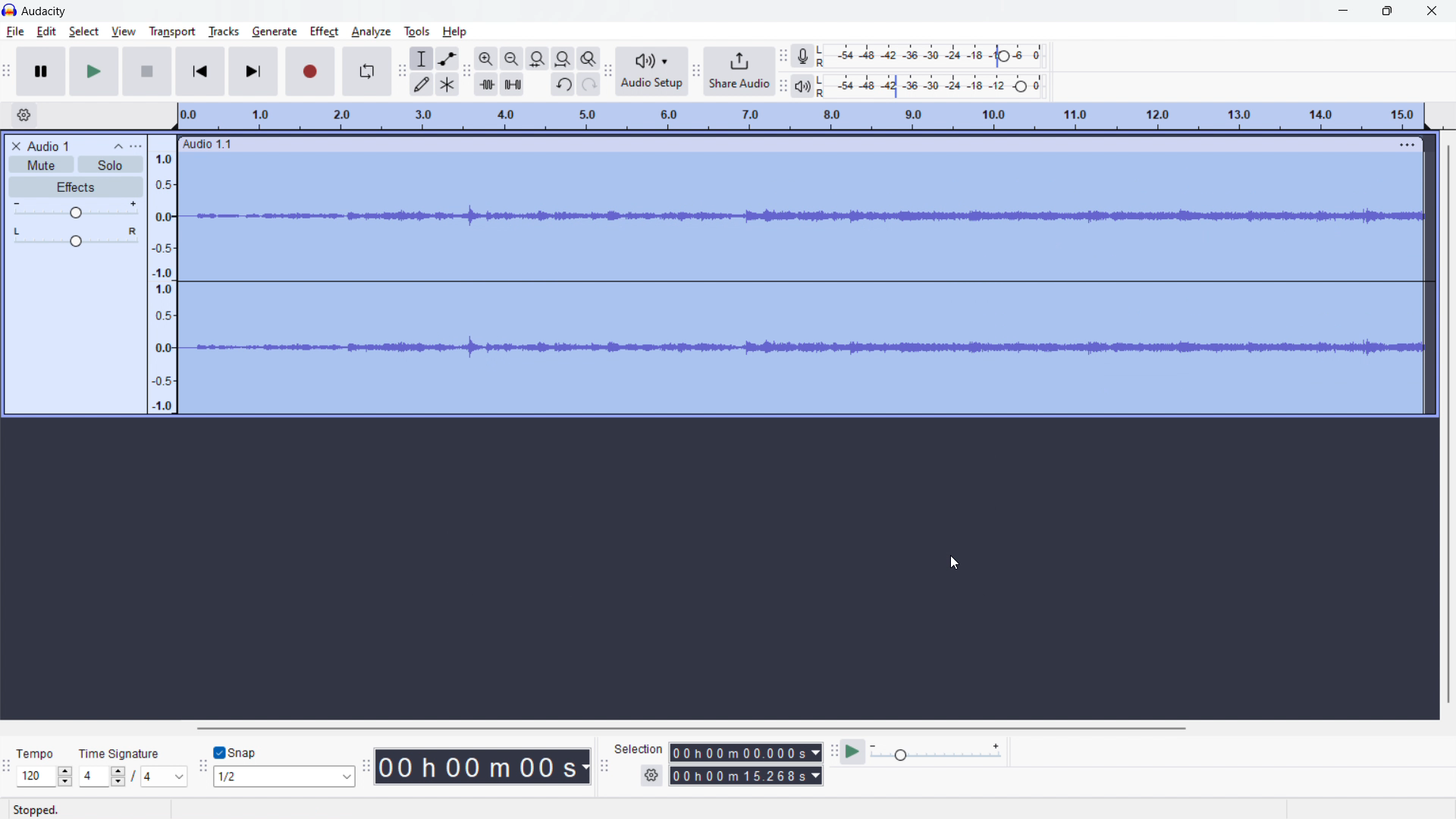 This screenshot has width=1456, height=819. Describe the element at coordinates (689, 728) in the screenshot. I see `horizontal scrollbar` at that location.